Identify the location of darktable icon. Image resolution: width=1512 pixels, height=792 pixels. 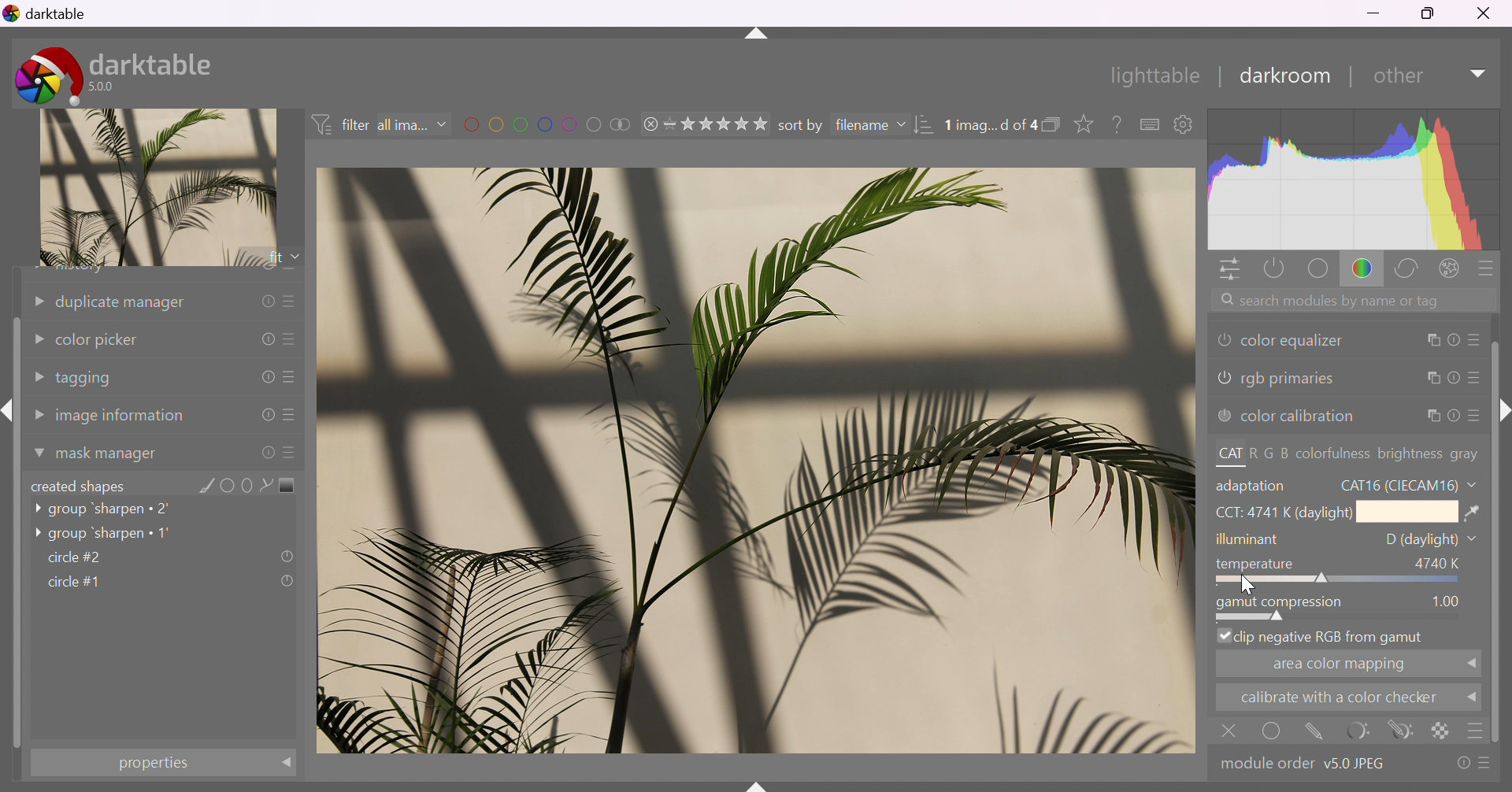
(44, 77).